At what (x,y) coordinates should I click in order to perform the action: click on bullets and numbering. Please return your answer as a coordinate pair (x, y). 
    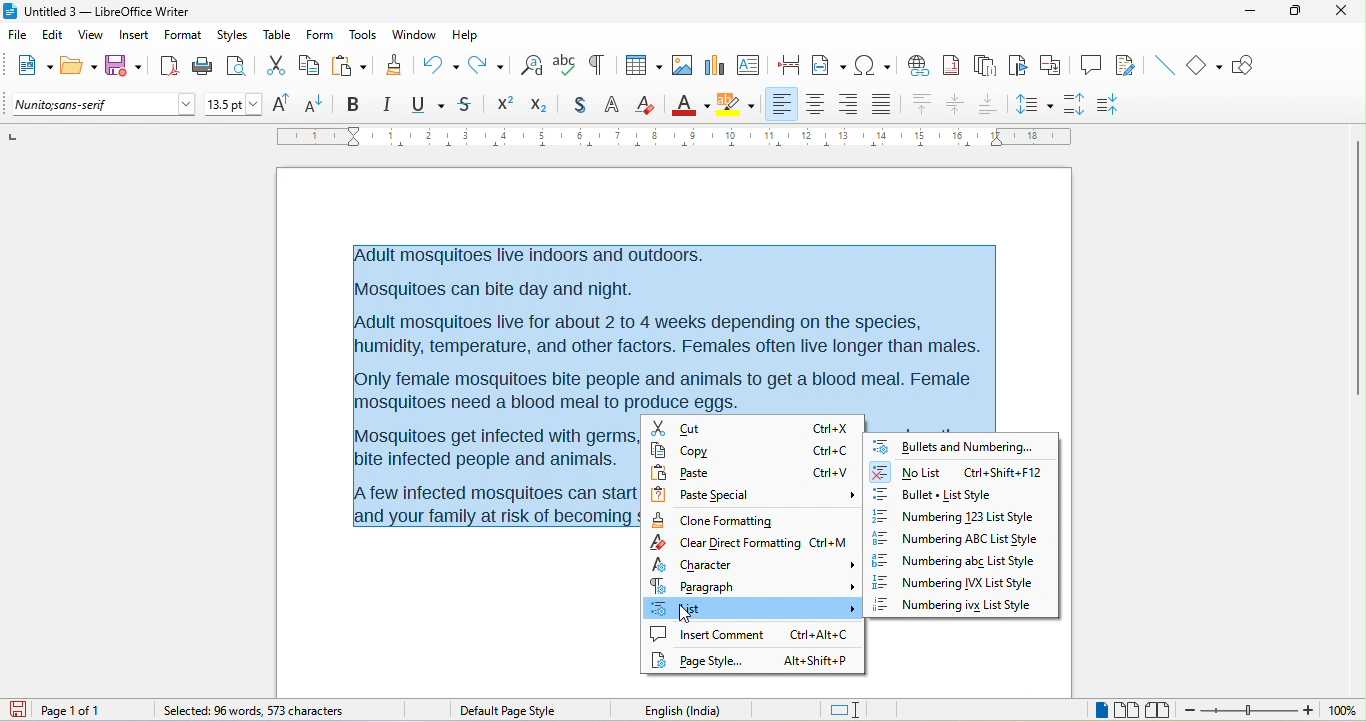
    Looking at the image, I should click on (954, 447).